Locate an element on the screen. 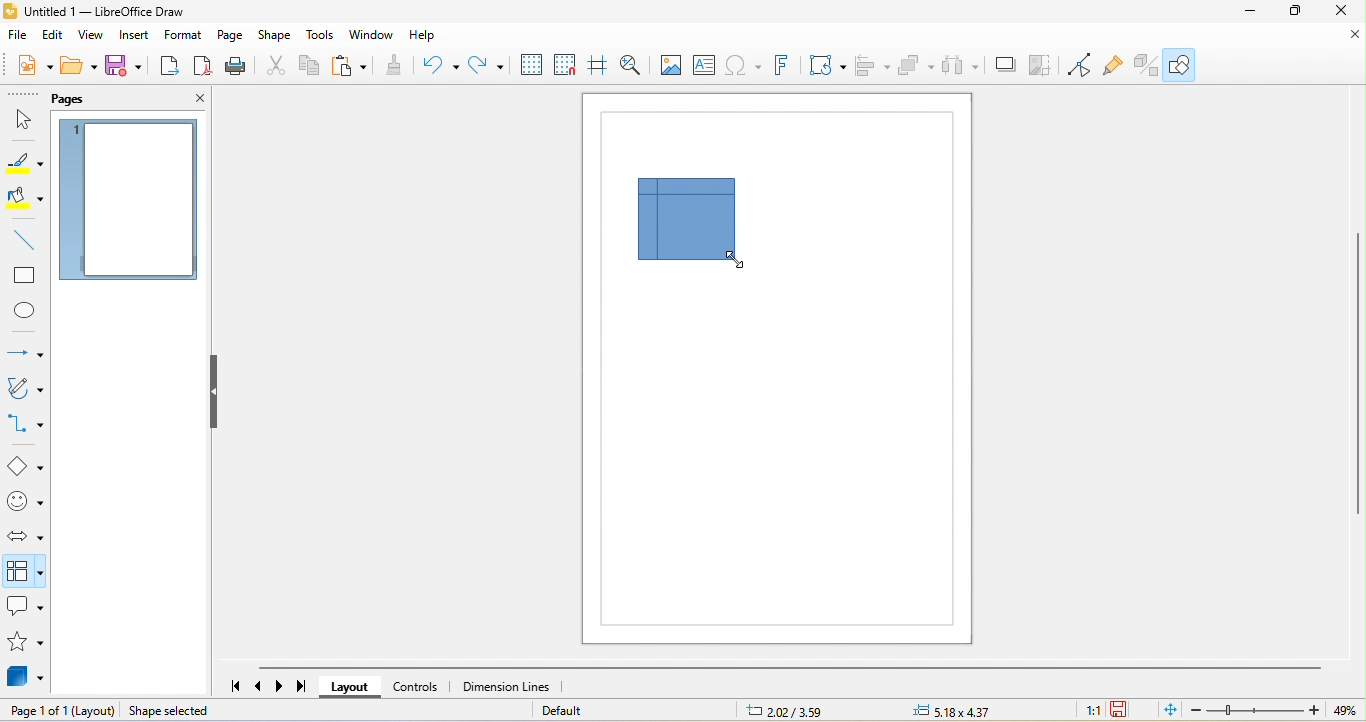 The width and height of the screenshot is (1366, 722). pages is located at coordinates (95, 97).